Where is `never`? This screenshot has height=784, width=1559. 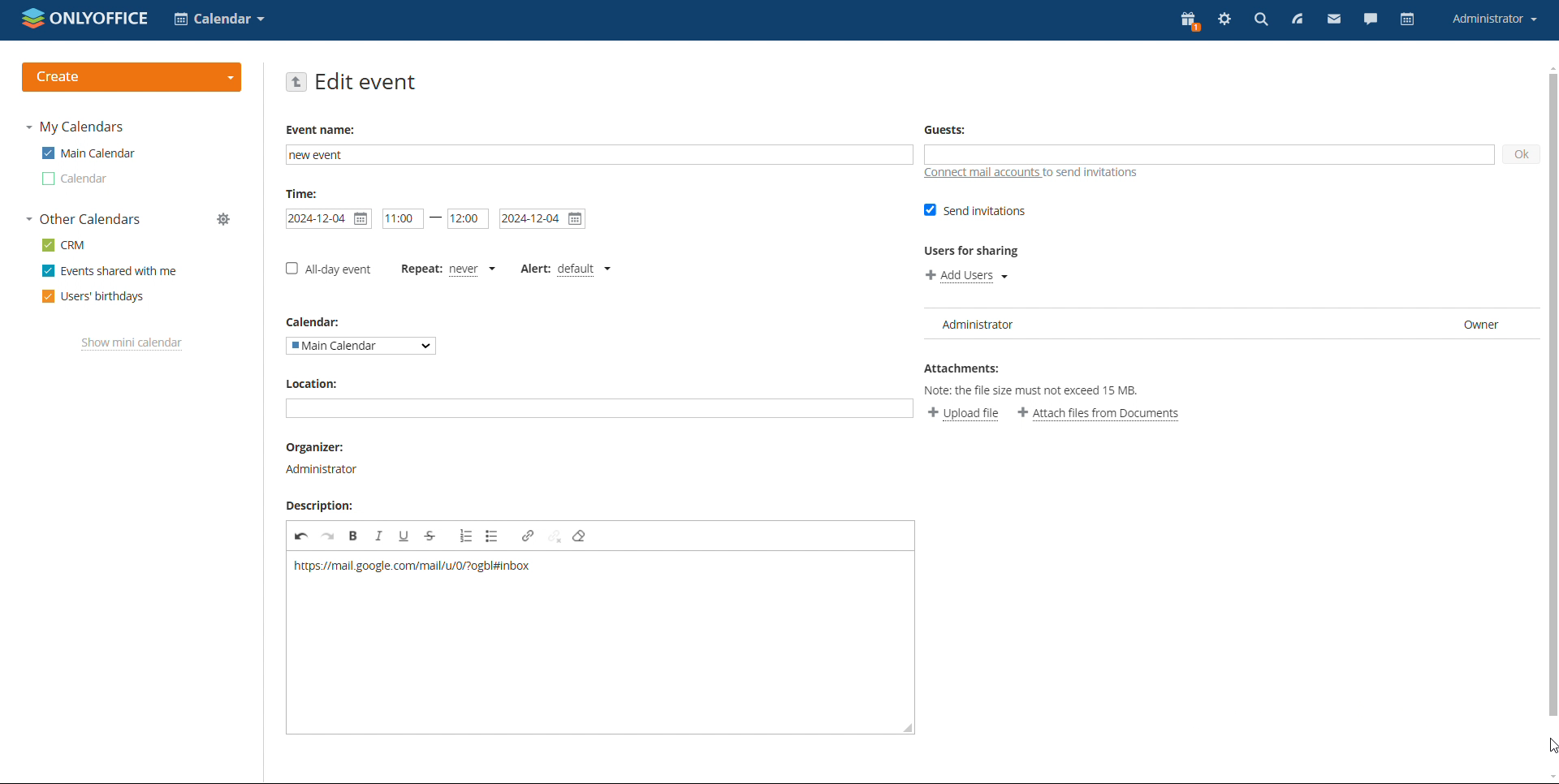
never is located at coordinates (470, 269).